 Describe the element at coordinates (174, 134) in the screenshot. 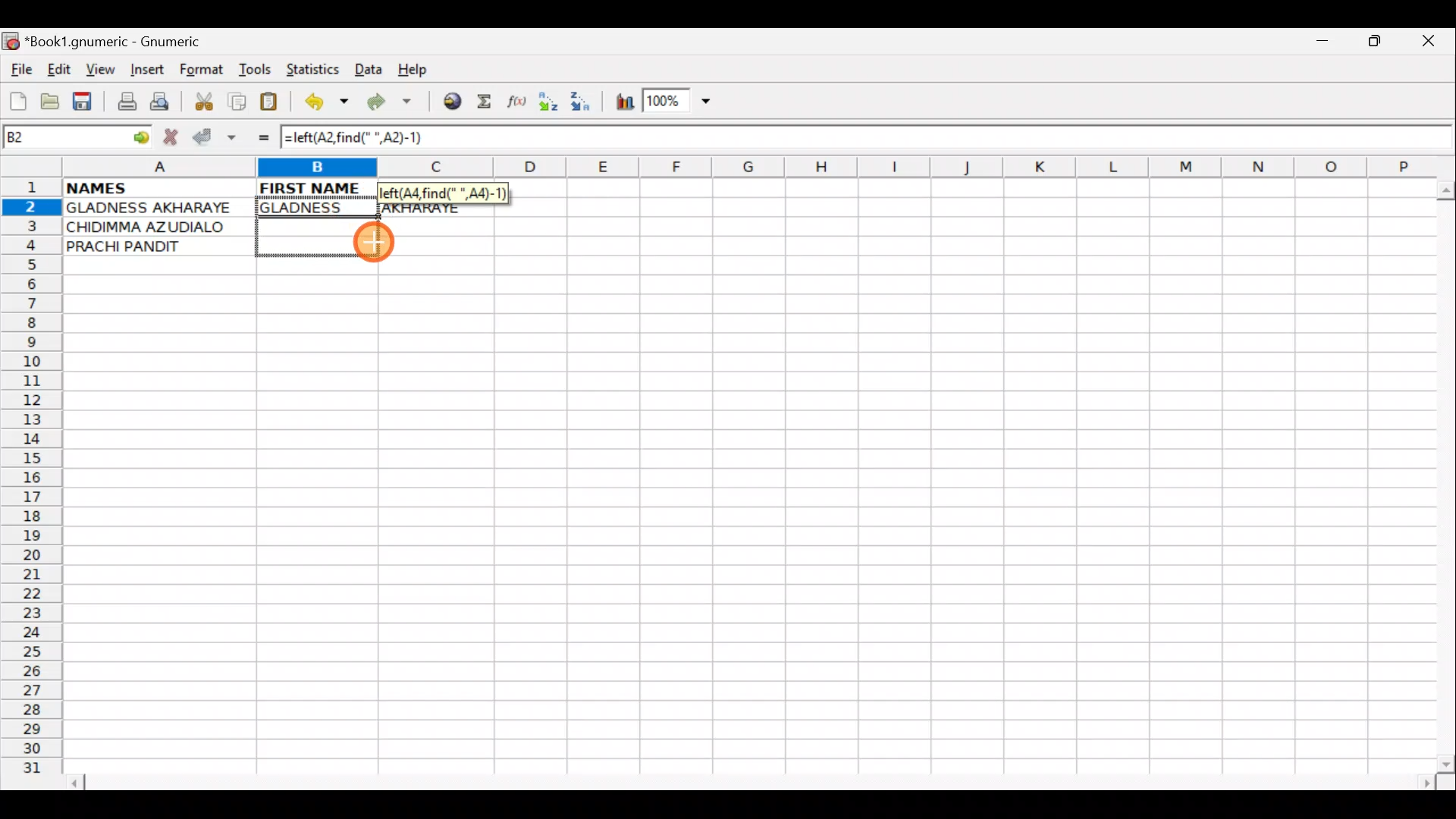

I see `Cancel change` at that location.